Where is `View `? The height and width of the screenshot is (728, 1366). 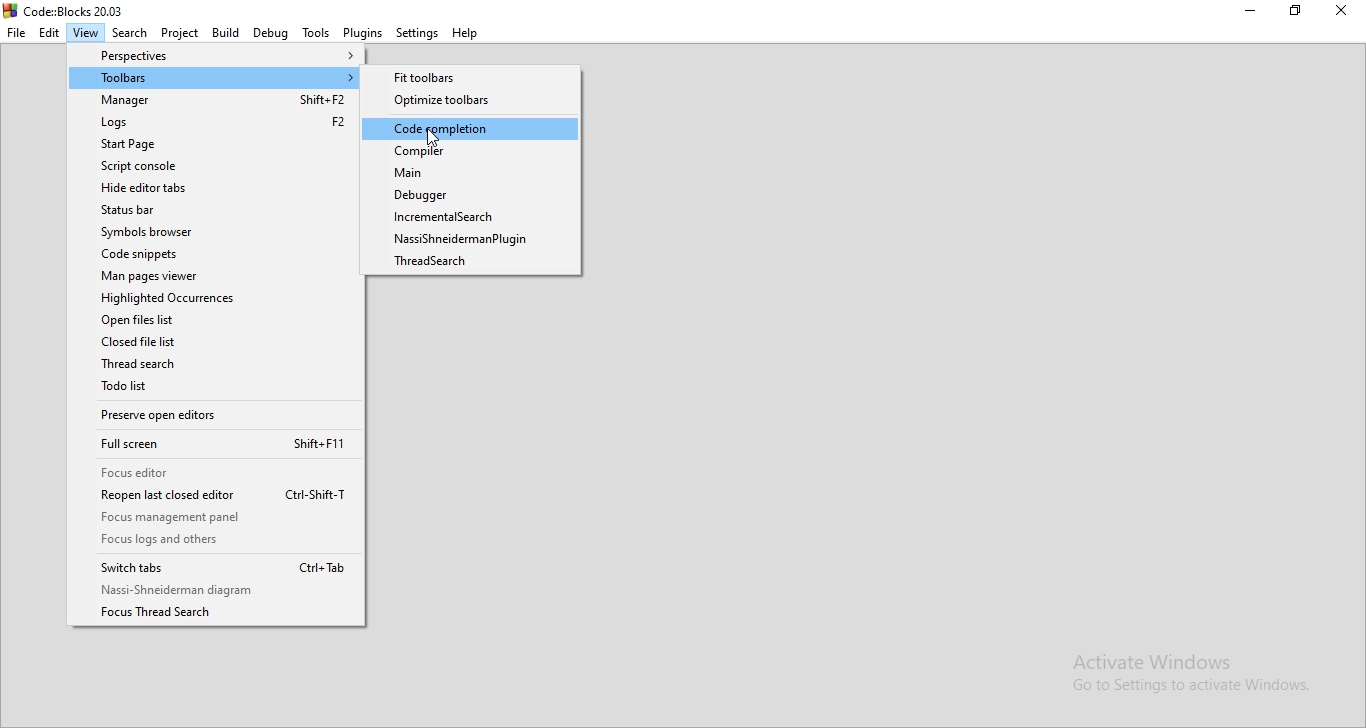
View  is located at coordinates (86, 31).